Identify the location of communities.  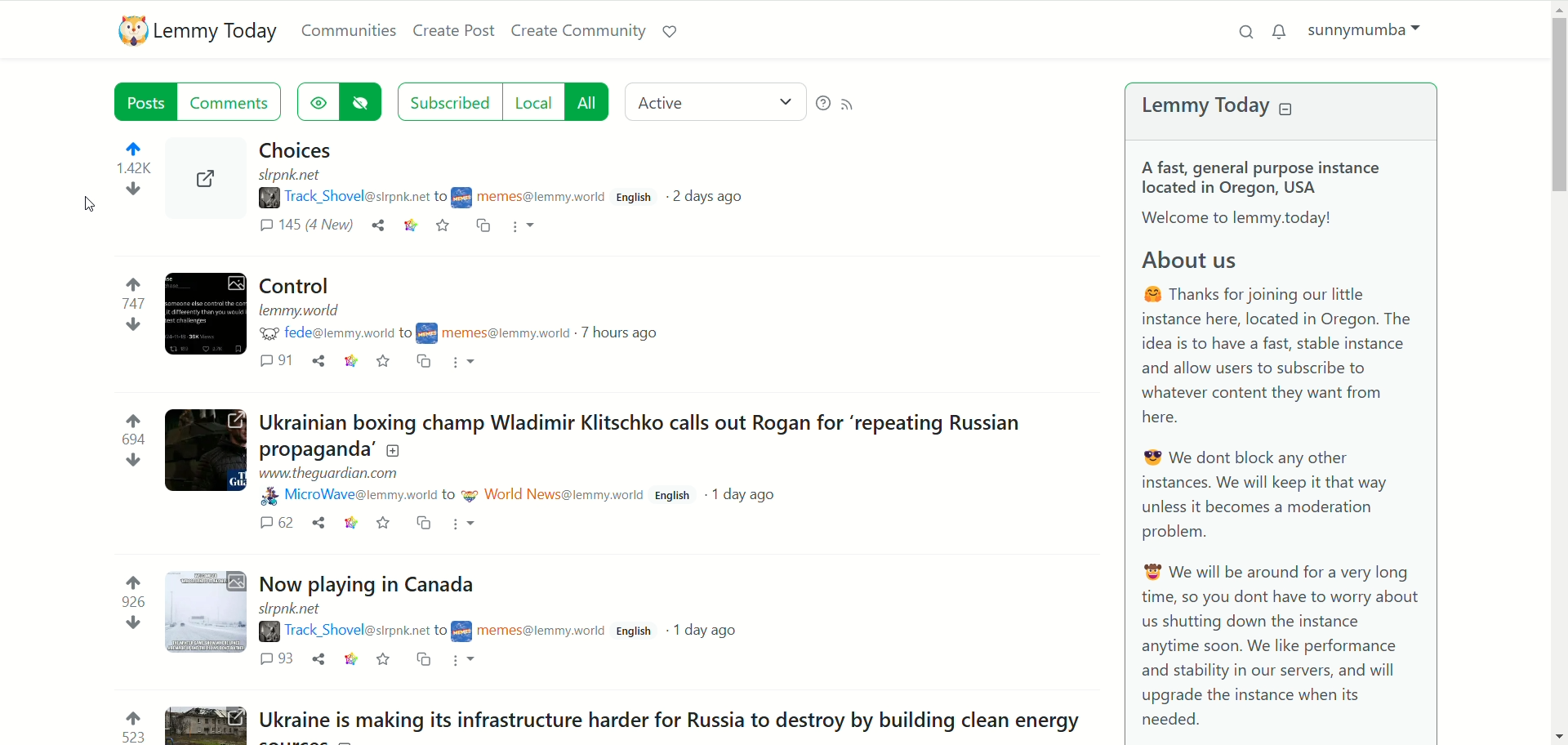
(349, 32).